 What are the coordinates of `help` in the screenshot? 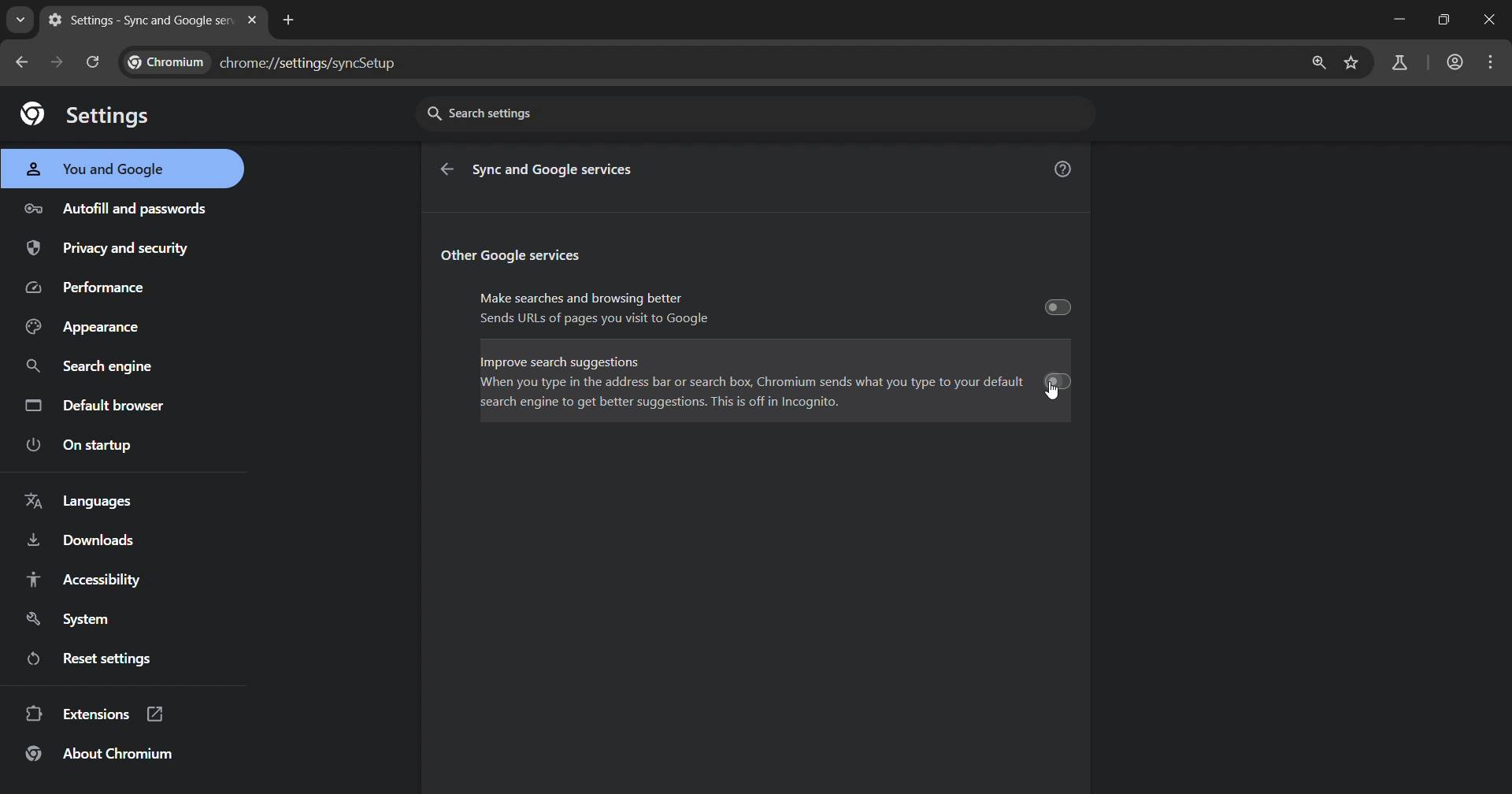 It's located at (1063, 169).